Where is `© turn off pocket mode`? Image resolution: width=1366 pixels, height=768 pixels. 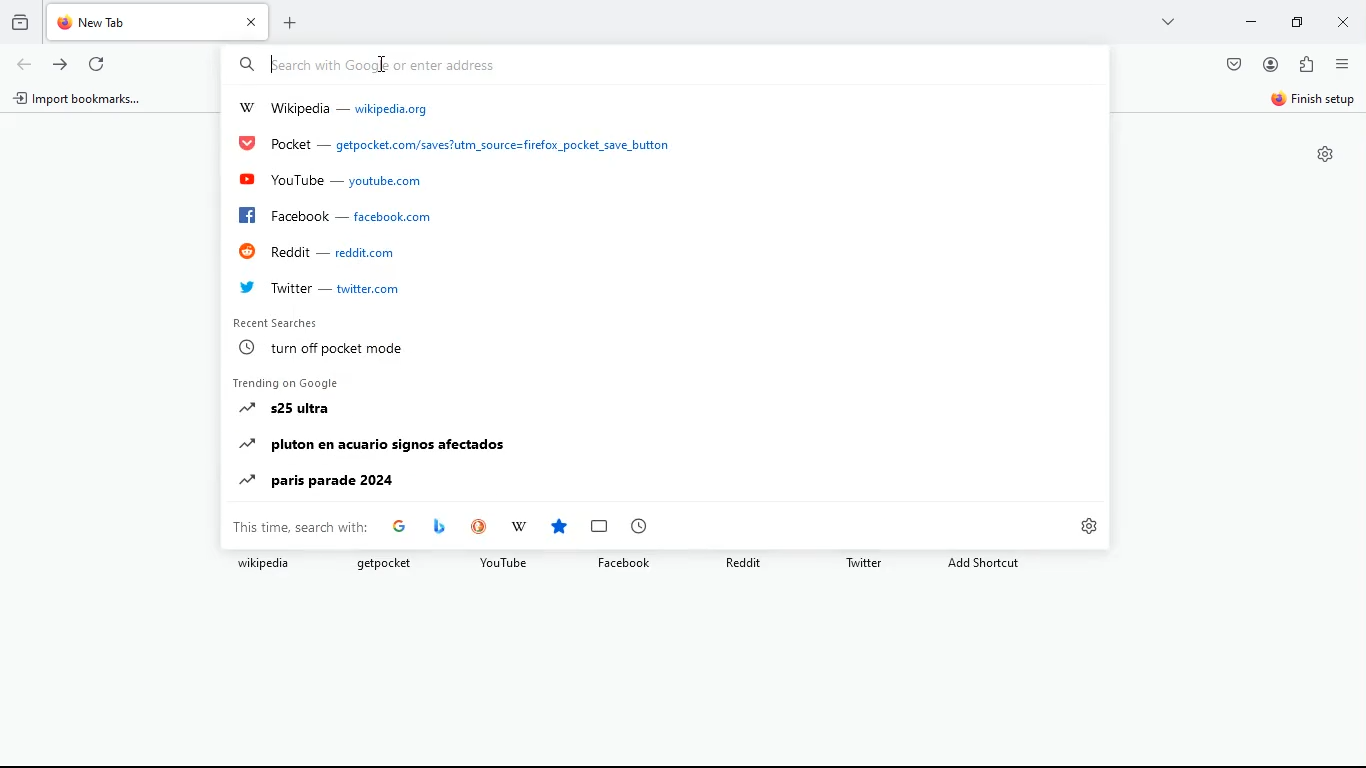
© turn off pocket mode is located at coordinates (321, 348).